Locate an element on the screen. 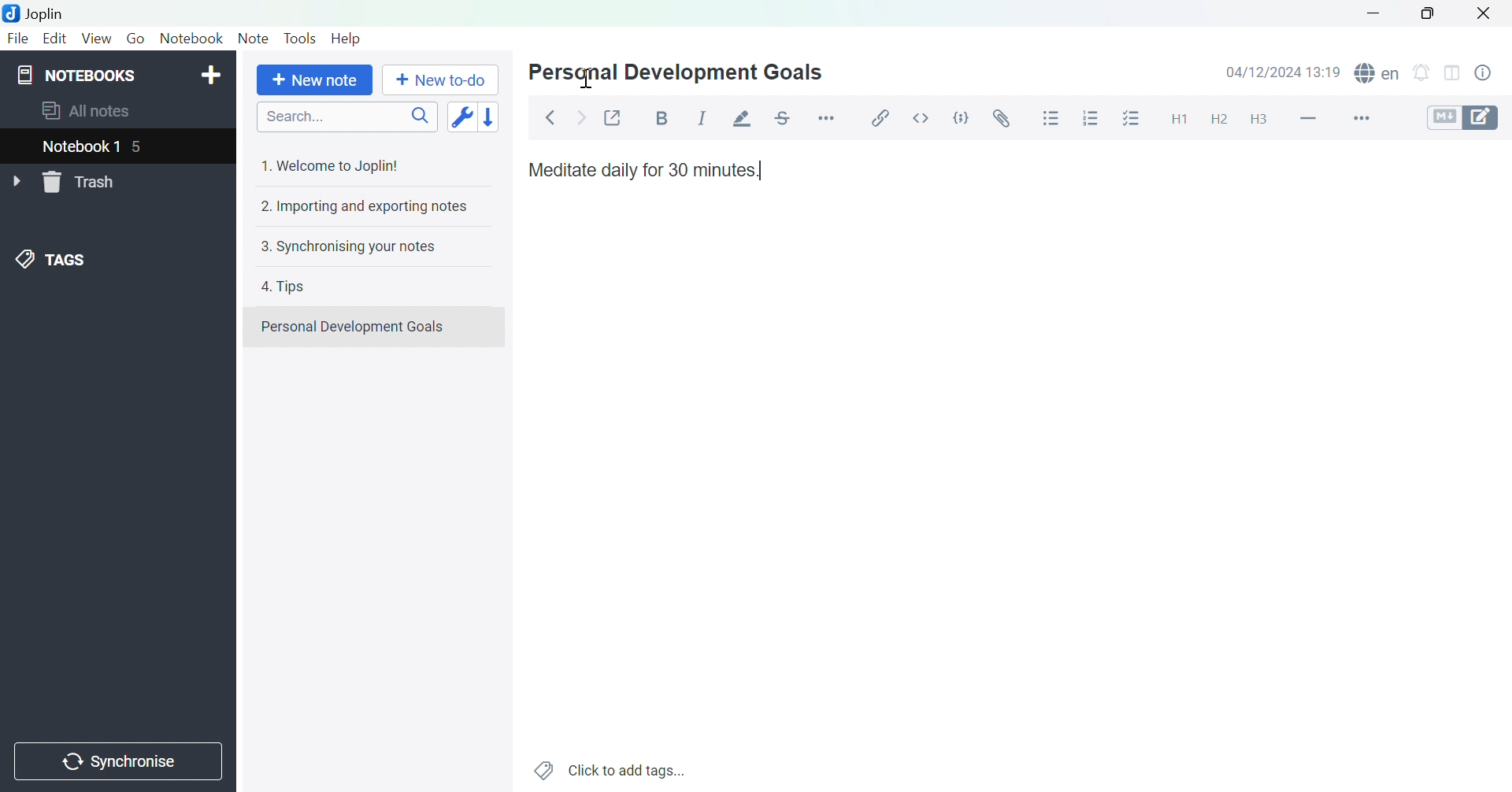 The image size is (1512, 792). spell checker is located at coordinates (1378, 73).